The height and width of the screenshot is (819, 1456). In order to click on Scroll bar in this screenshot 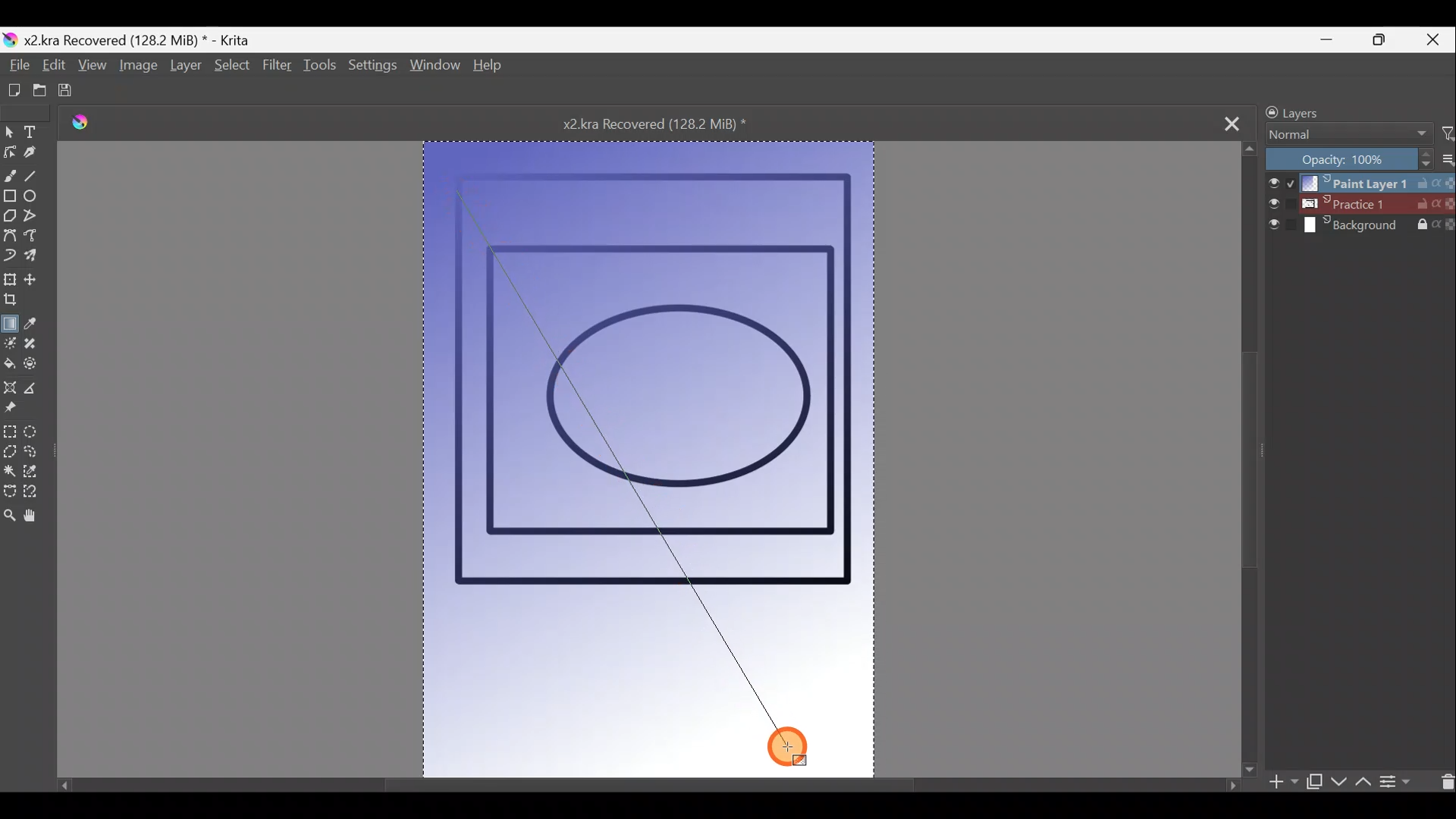, I will do `click(1250, 457)`.